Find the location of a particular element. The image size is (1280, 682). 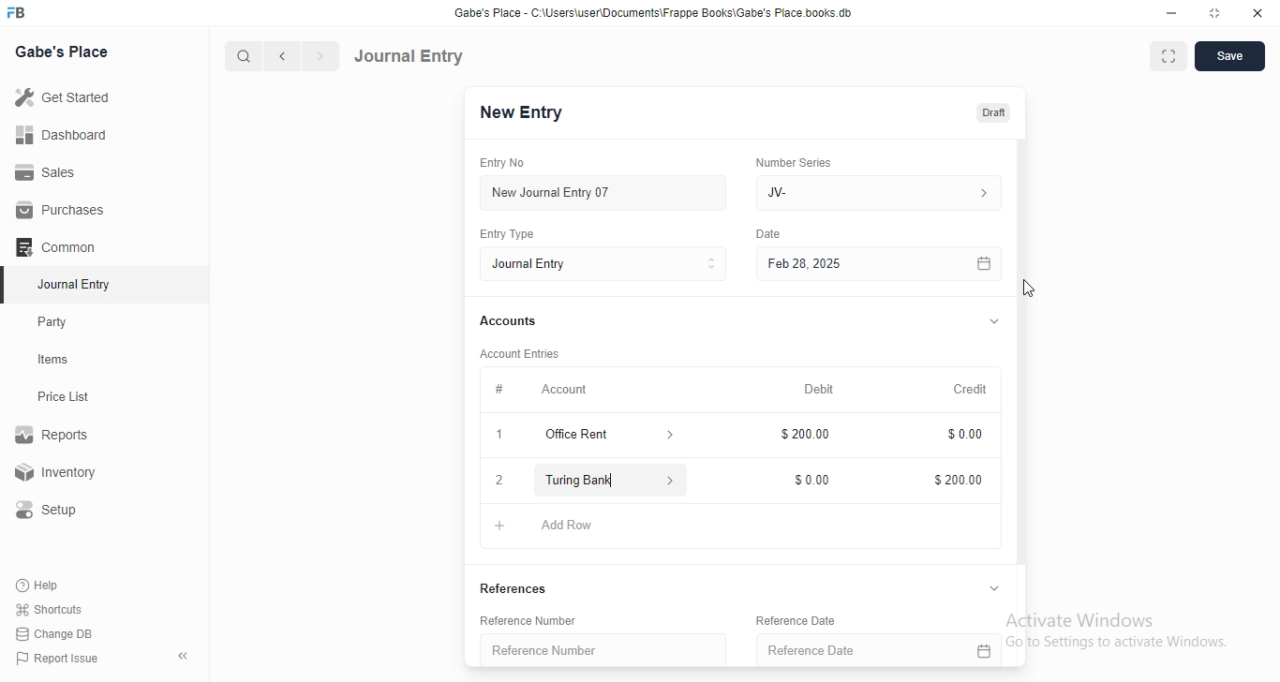

$200.00 is located at coordinates (954, 480).